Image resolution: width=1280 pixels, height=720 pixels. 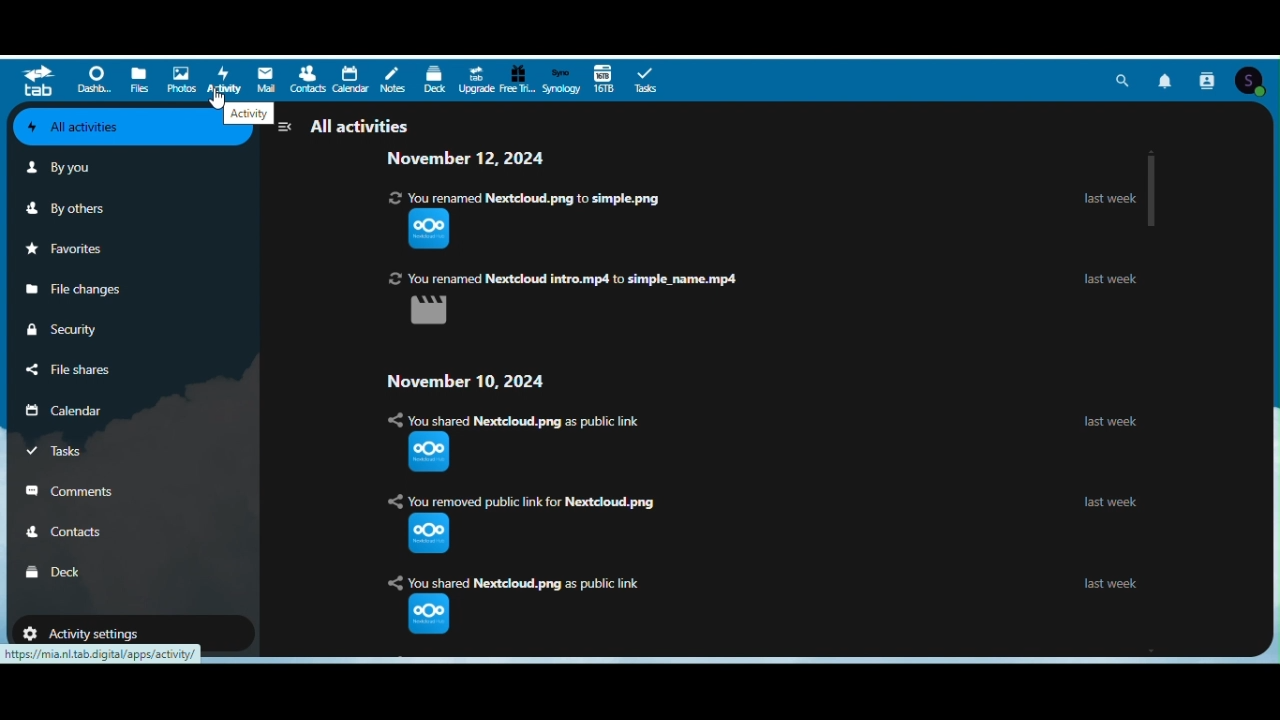 What do you see at coordinates (218, 100) in the screenshot?
I see `cursor` at bounding box center [218, 100].